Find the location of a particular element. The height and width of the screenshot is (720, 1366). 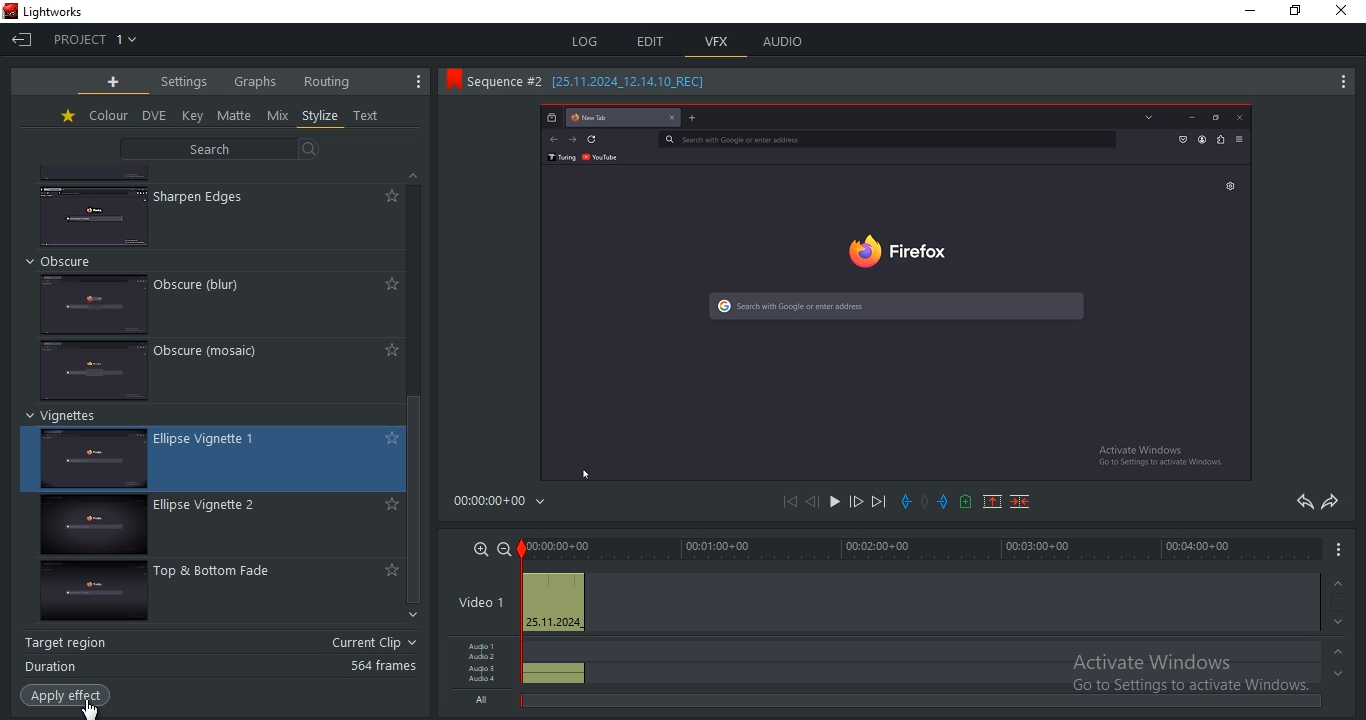

zoom out is located at coordinates (504, 548).